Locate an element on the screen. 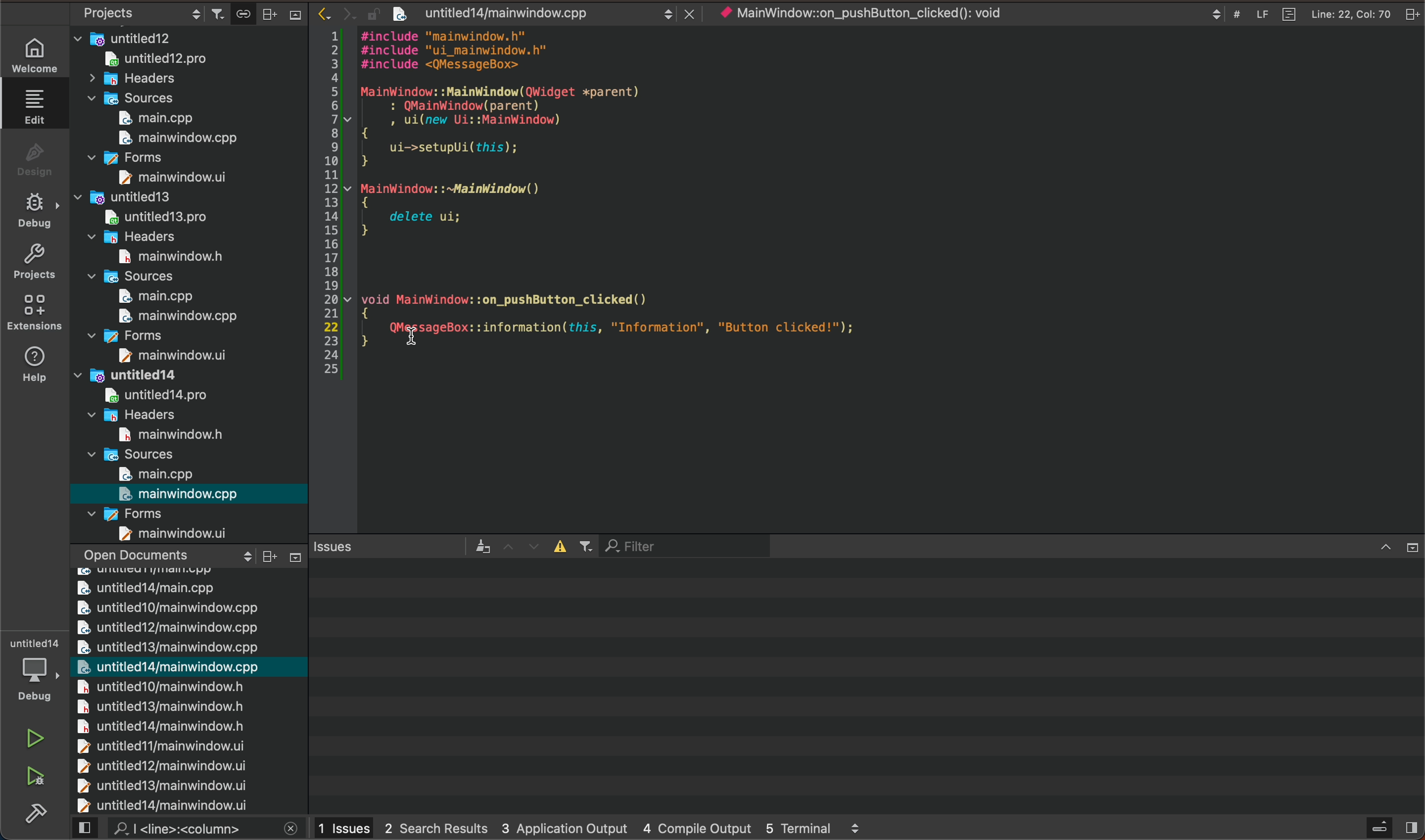 The width and height of the screenshot is (1425, 840). terminal is located at coordinates (866, 685).